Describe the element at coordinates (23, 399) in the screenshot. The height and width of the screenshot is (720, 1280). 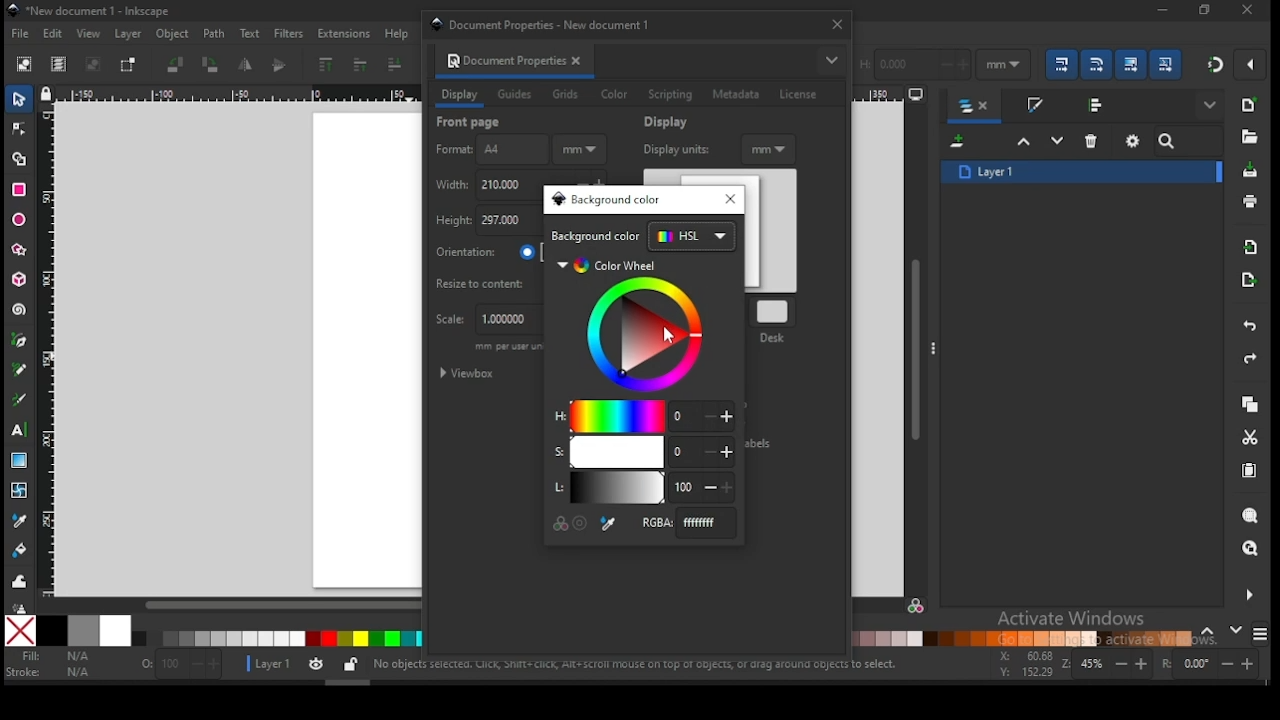
I see `calligraphy tool` at that location.